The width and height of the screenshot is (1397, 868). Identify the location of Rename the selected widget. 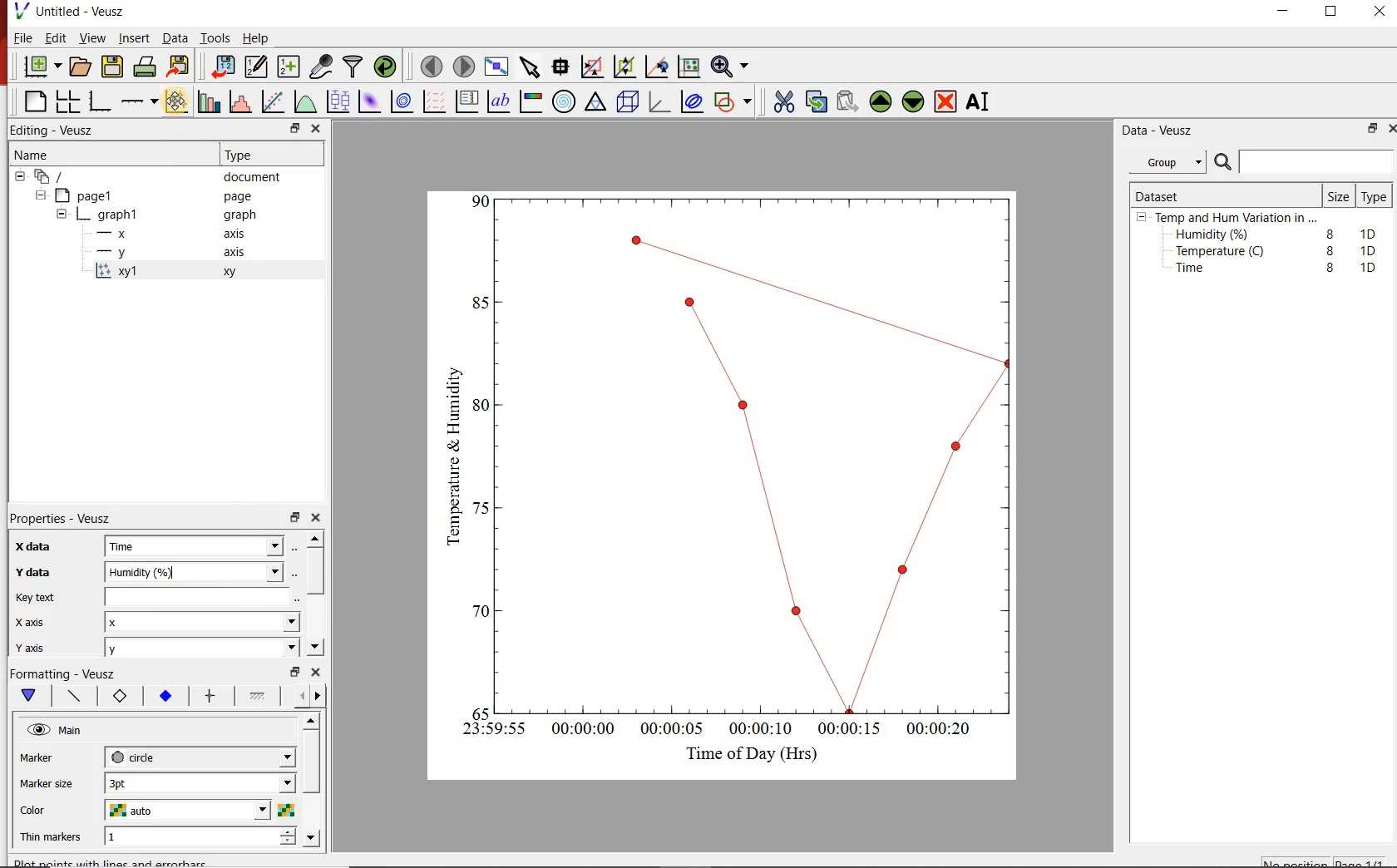
(981, 101).